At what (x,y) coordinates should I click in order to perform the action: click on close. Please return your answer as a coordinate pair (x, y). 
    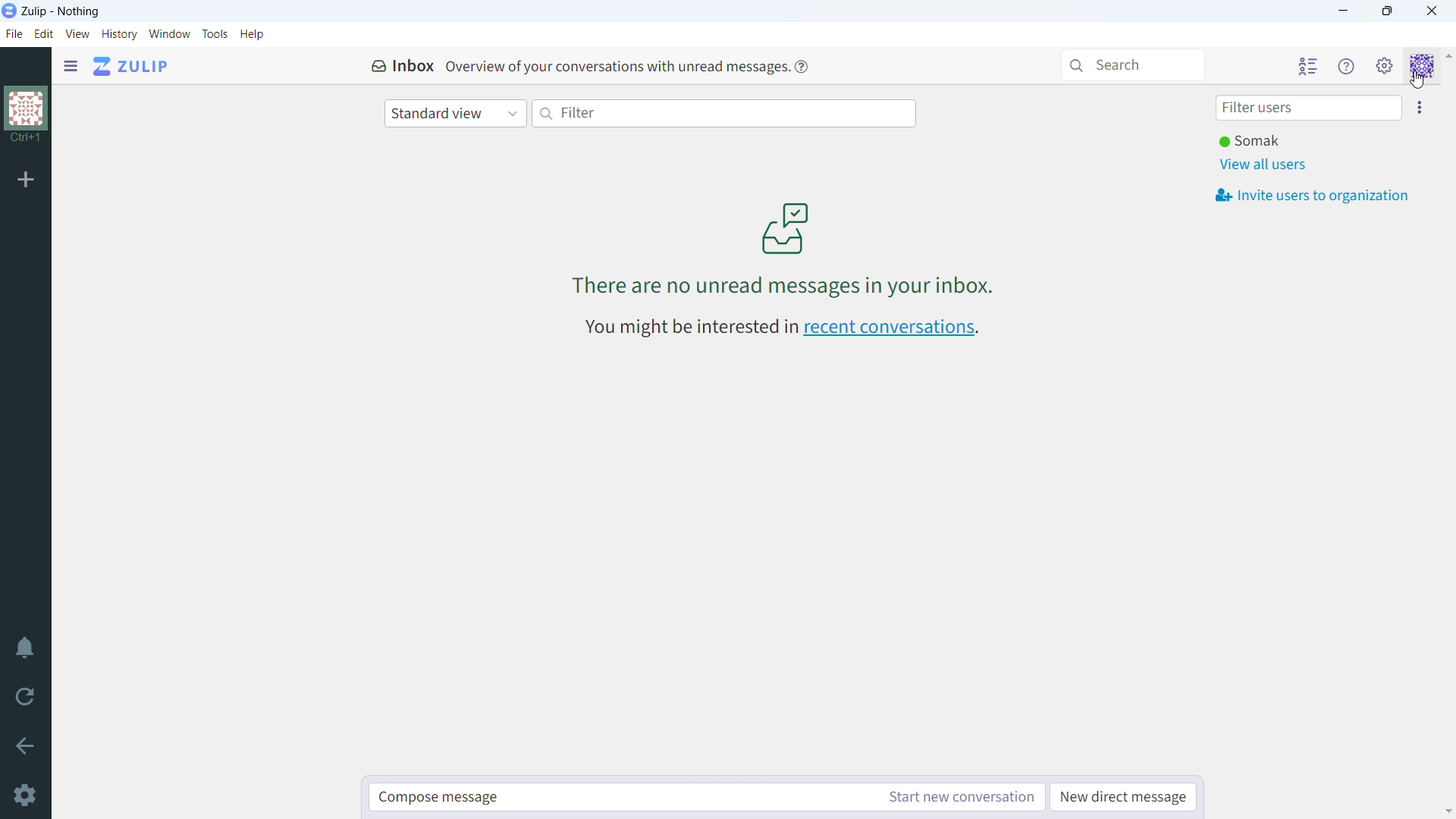
    Looking at the image, I should click on (1432, 11).